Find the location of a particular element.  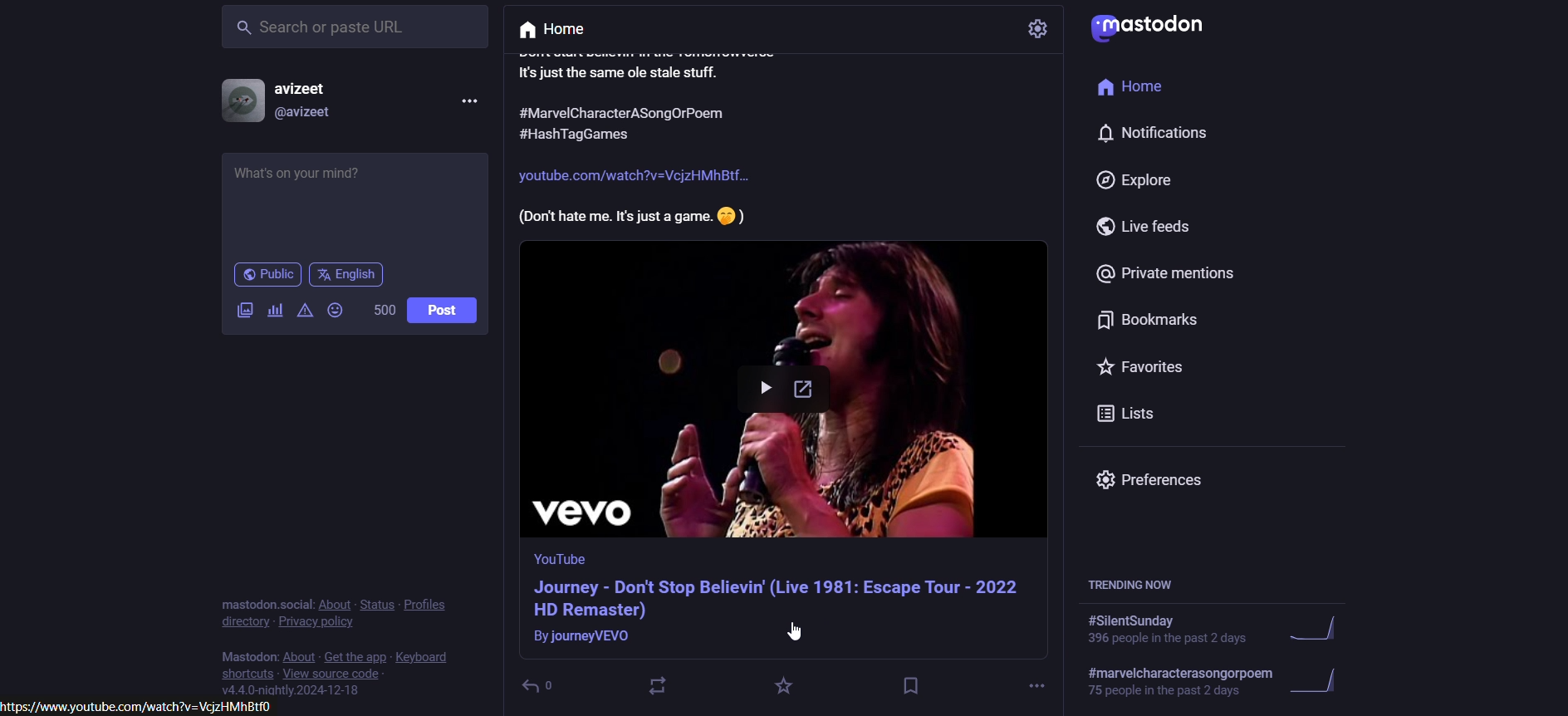

 is located at coordinates (586, 637).